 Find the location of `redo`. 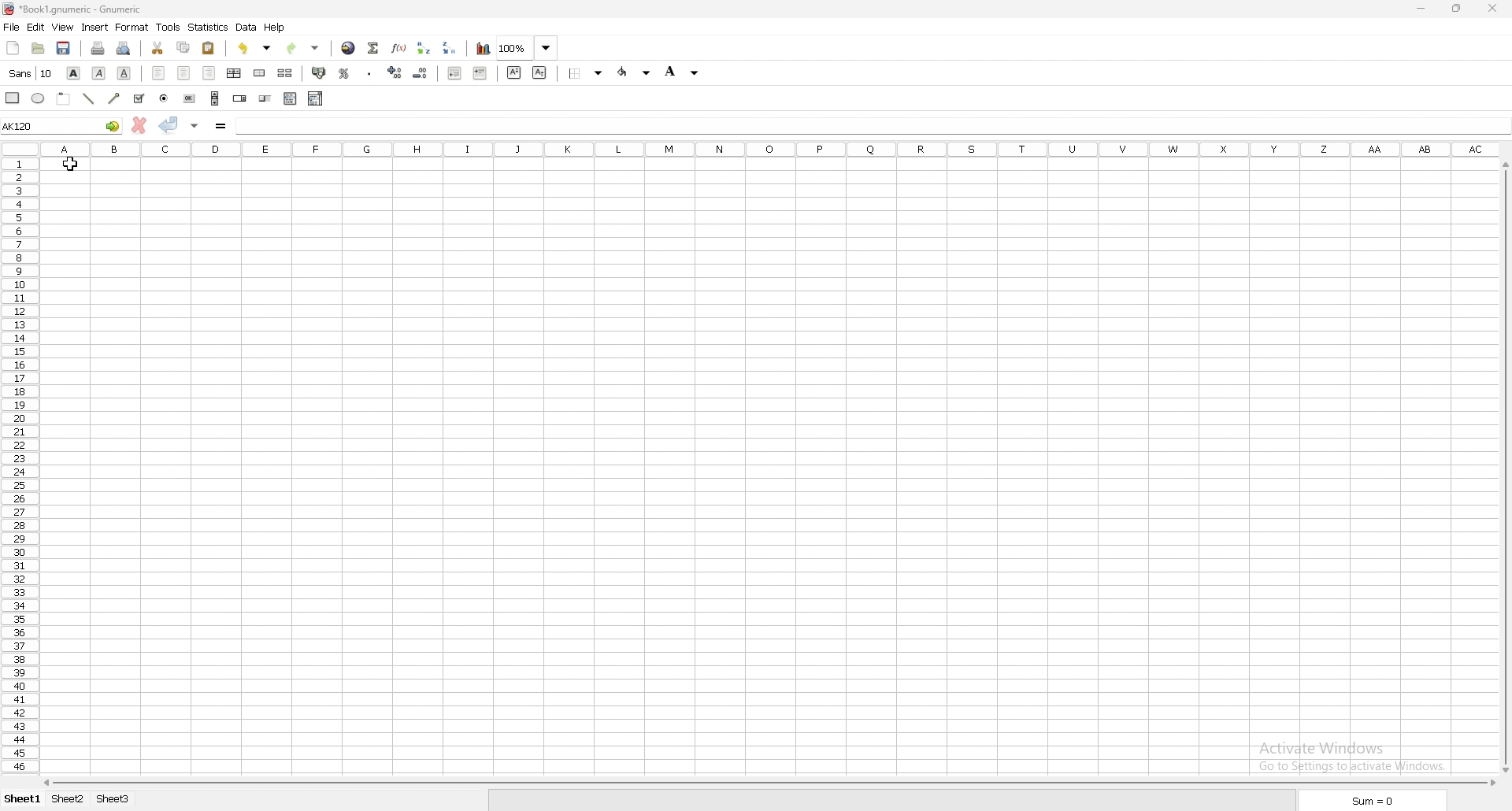

redo is located at coordinates (302, 48).